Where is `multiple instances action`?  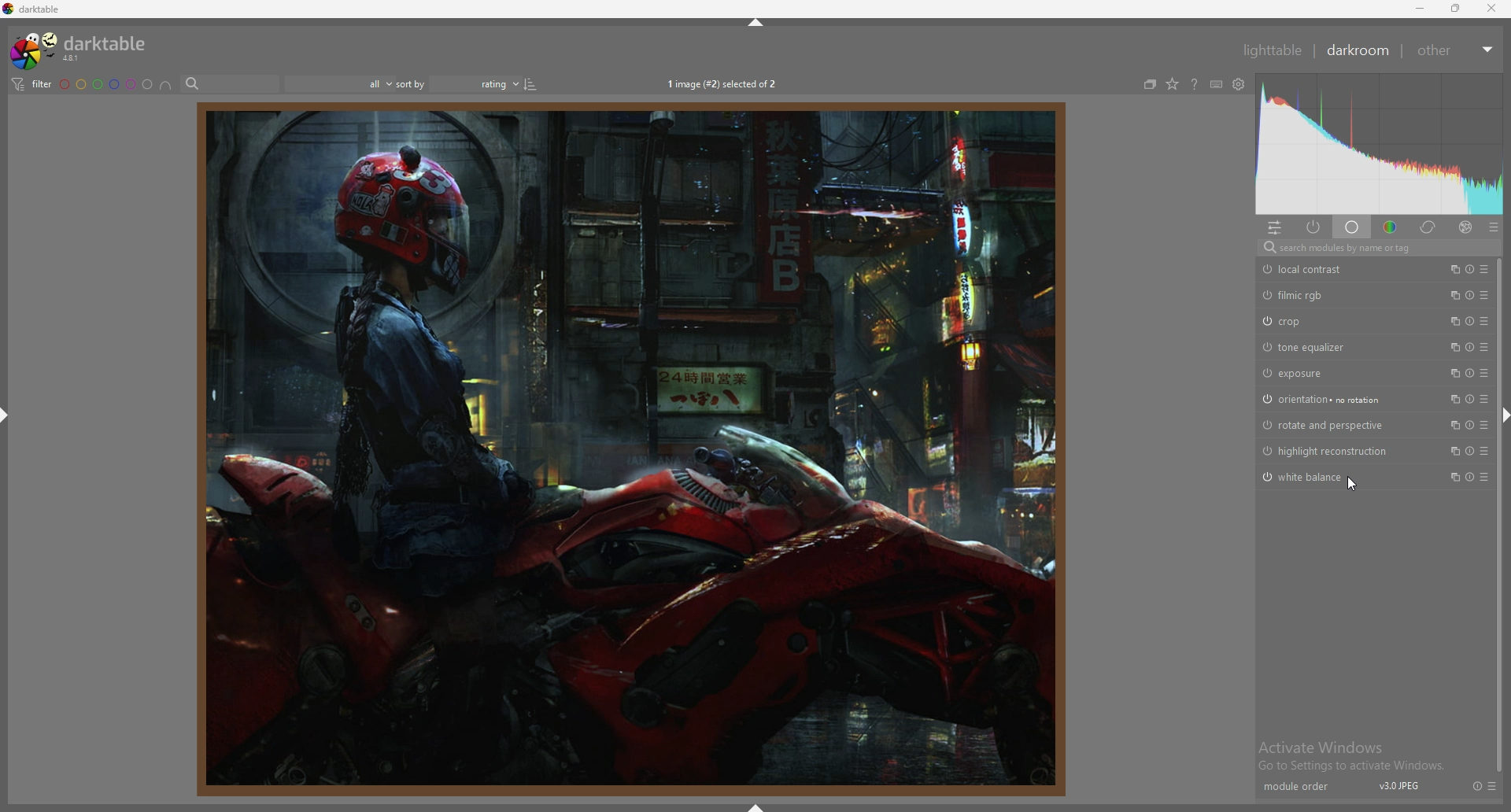 multiple instances action is located at coordinates (1453, 426).